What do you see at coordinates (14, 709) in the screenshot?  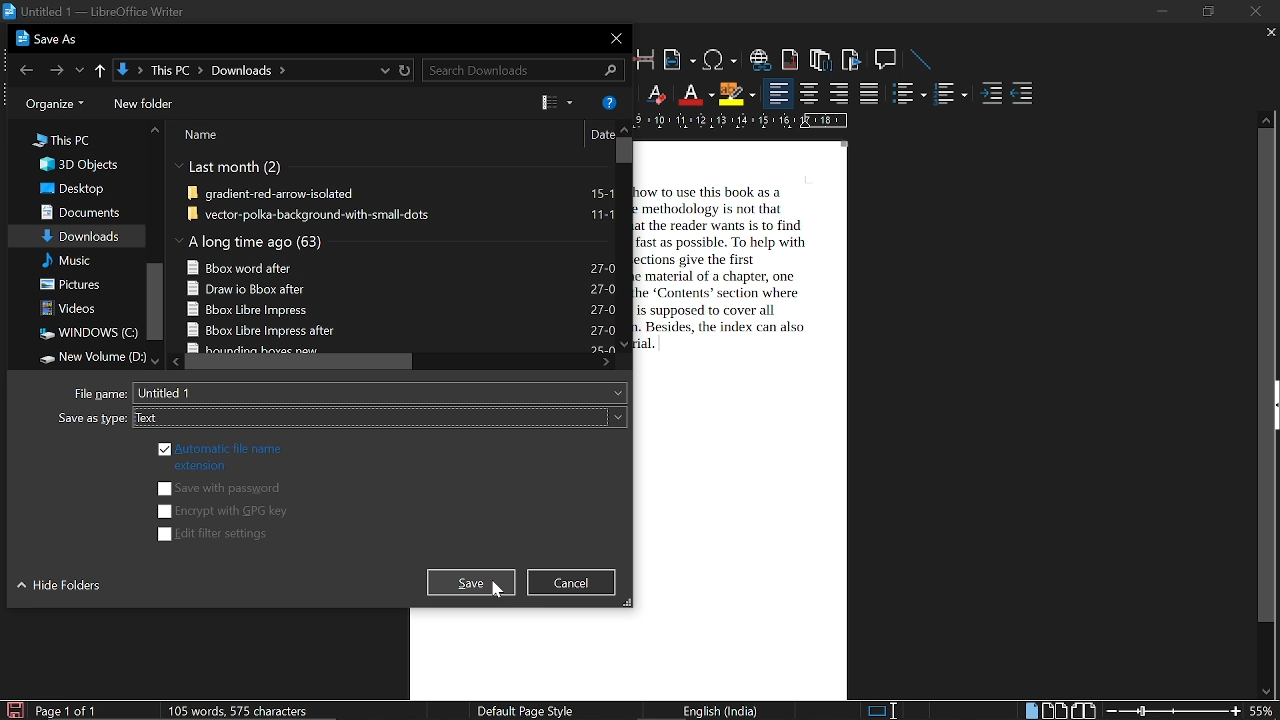 I see `save` at bounding box center [14, 709].